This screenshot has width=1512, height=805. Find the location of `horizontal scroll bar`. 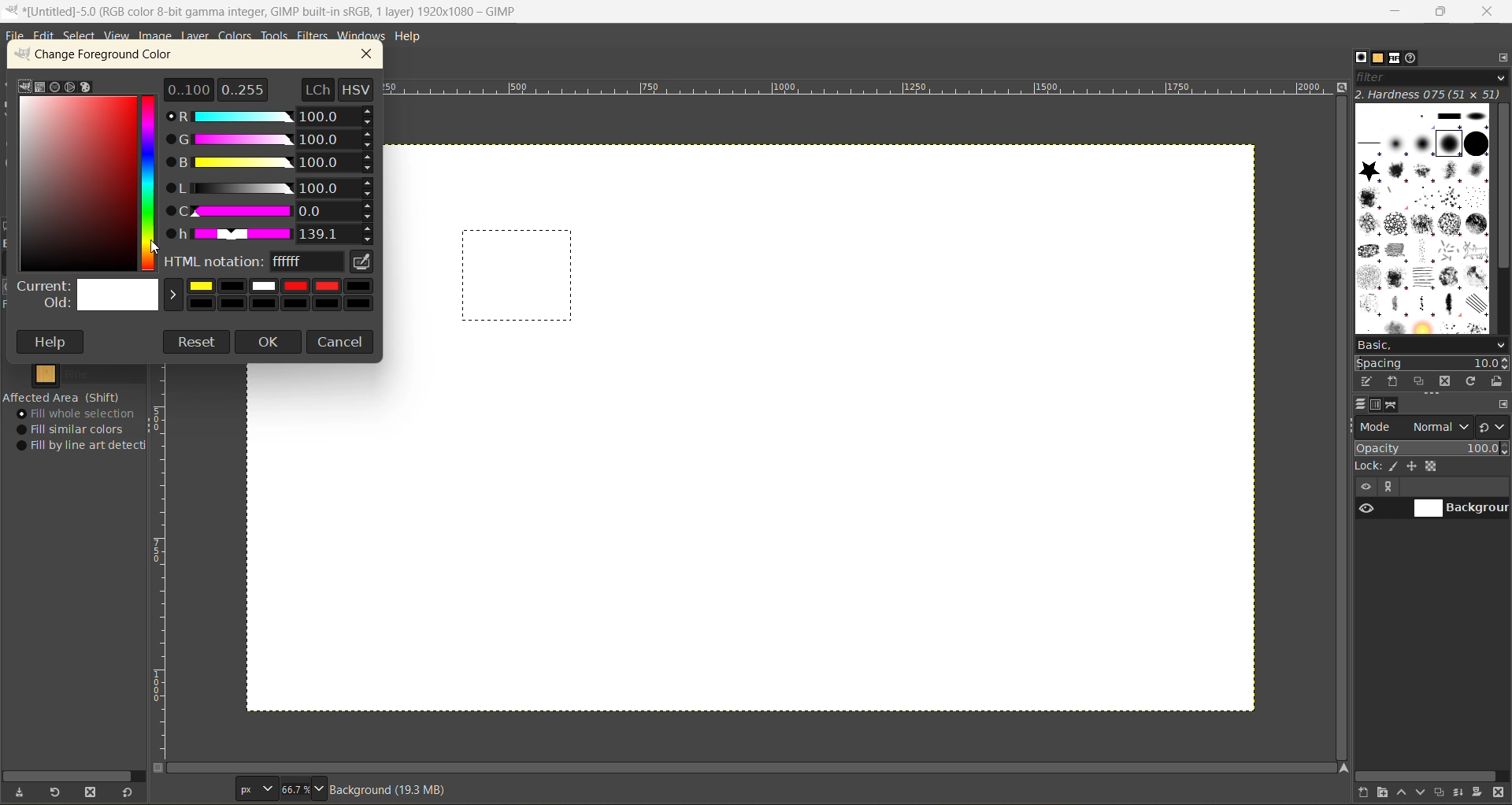

horizontal scroll bar is located at coordinates (1428, 775).